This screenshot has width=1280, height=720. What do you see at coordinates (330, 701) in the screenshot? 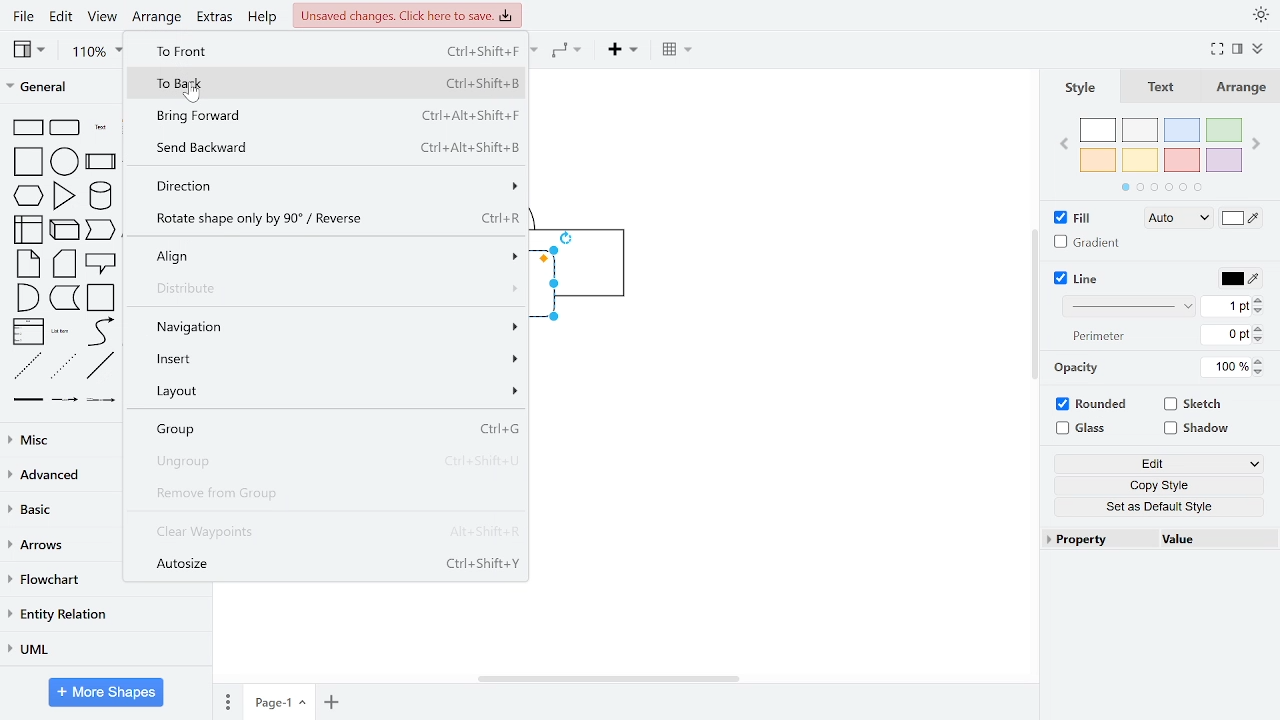
I see `add page` at bounding box center [330, 701].